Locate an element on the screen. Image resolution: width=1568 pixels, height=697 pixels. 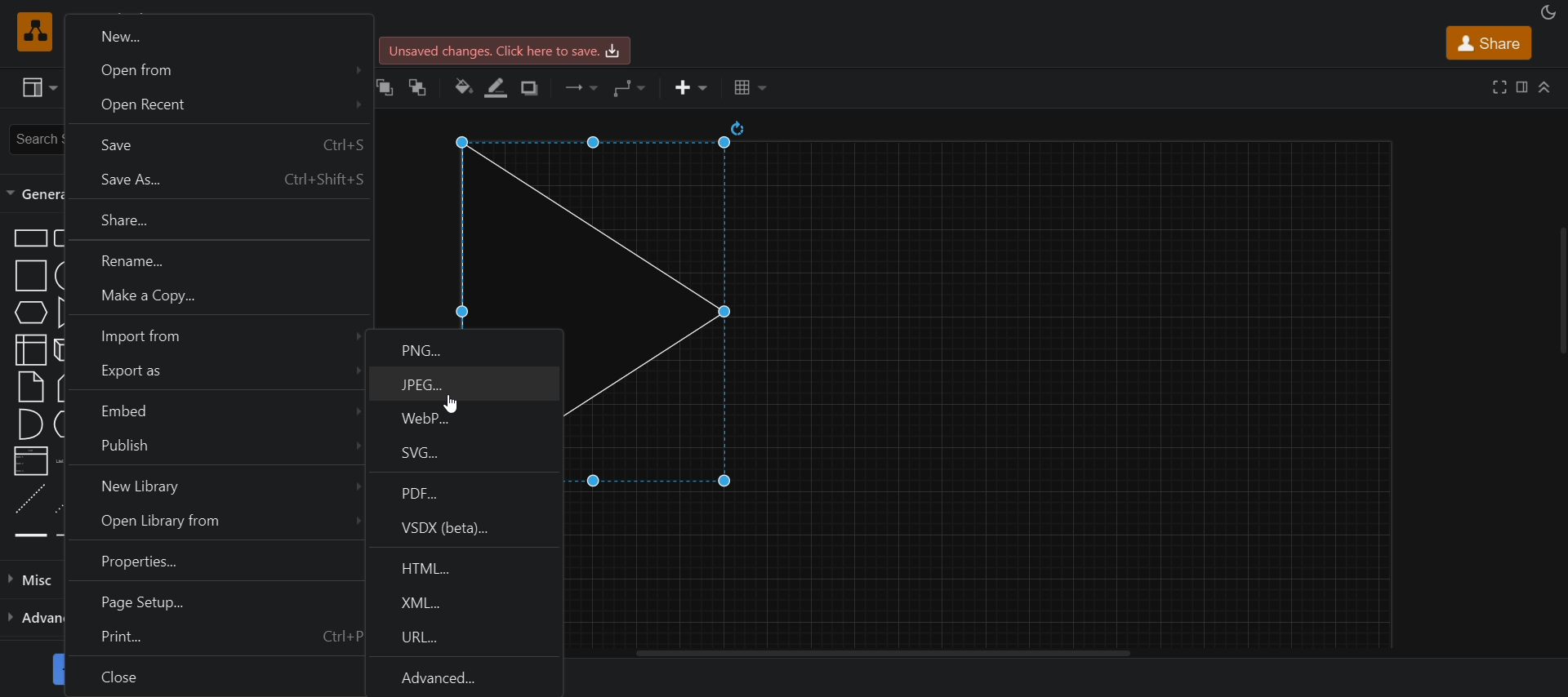
import from is located at coordinates (216, 335).